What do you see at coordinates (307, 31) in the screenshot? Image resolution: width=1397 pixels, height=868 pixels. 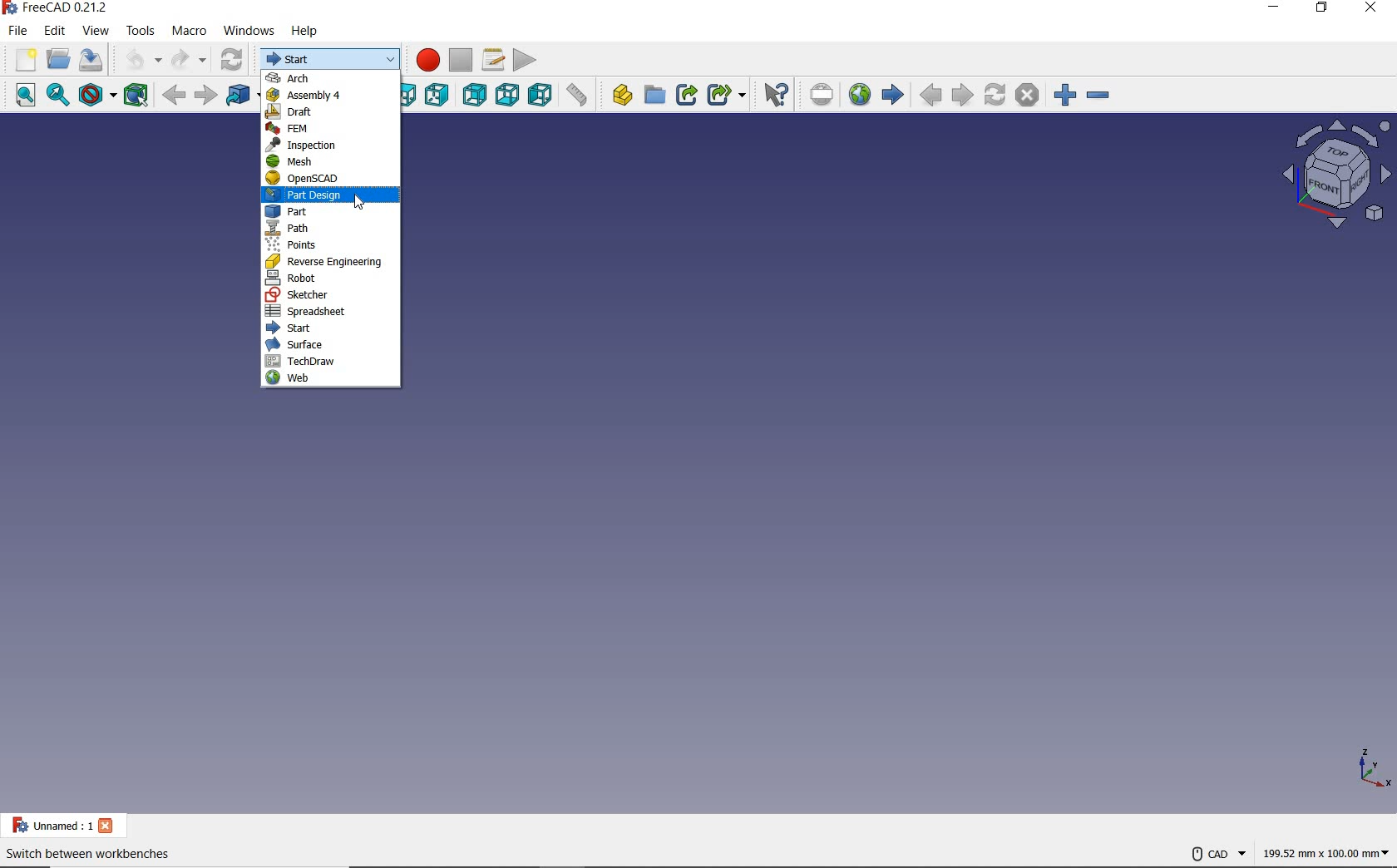 I see `HELP` at bounding box center [307, 31].